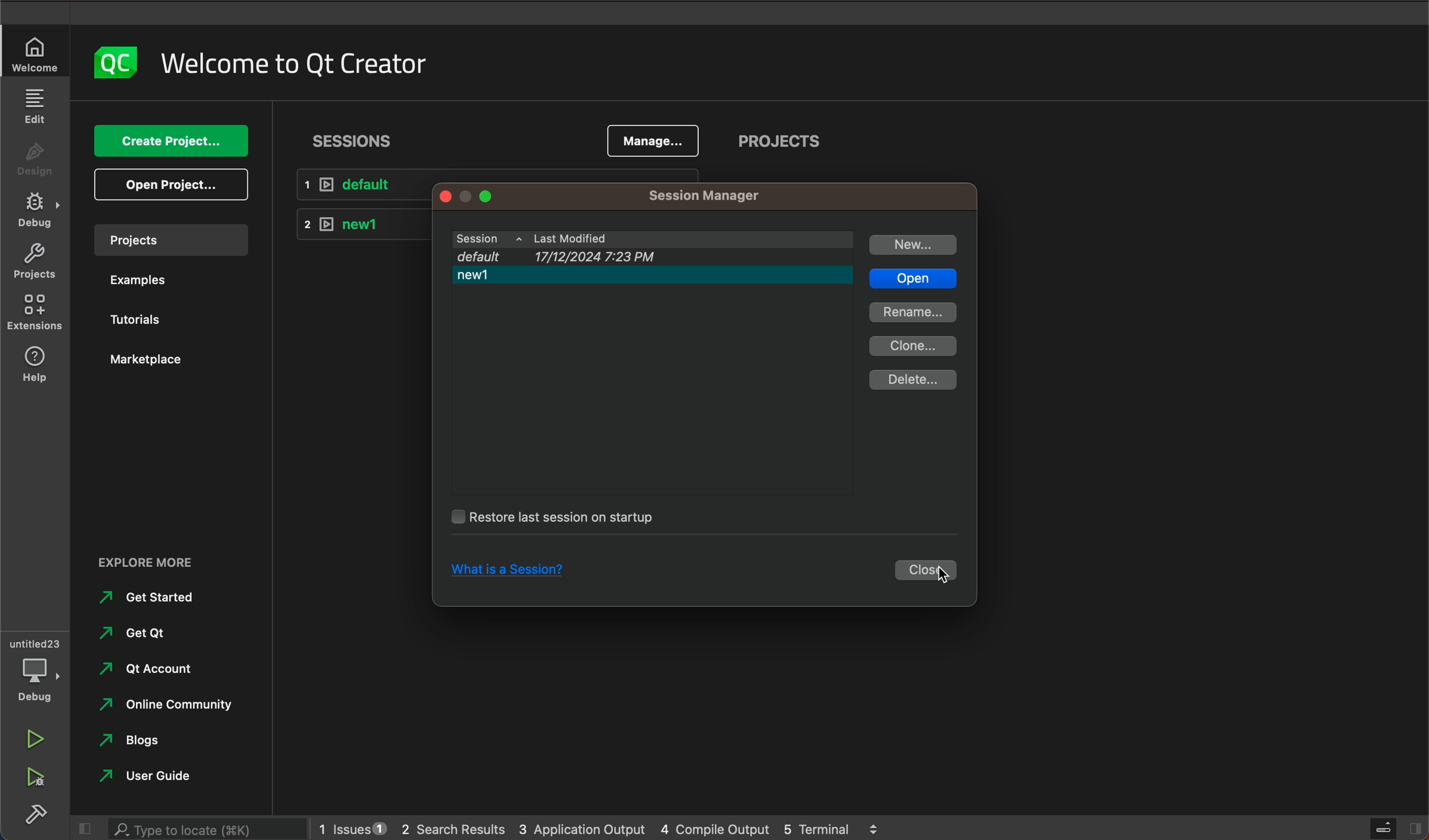 The width and height of the screenshot is (1429, 840). What do you see at coordinates (700, 197) in the screenshot?
I see `session manager` at bounding box center [700, 197].